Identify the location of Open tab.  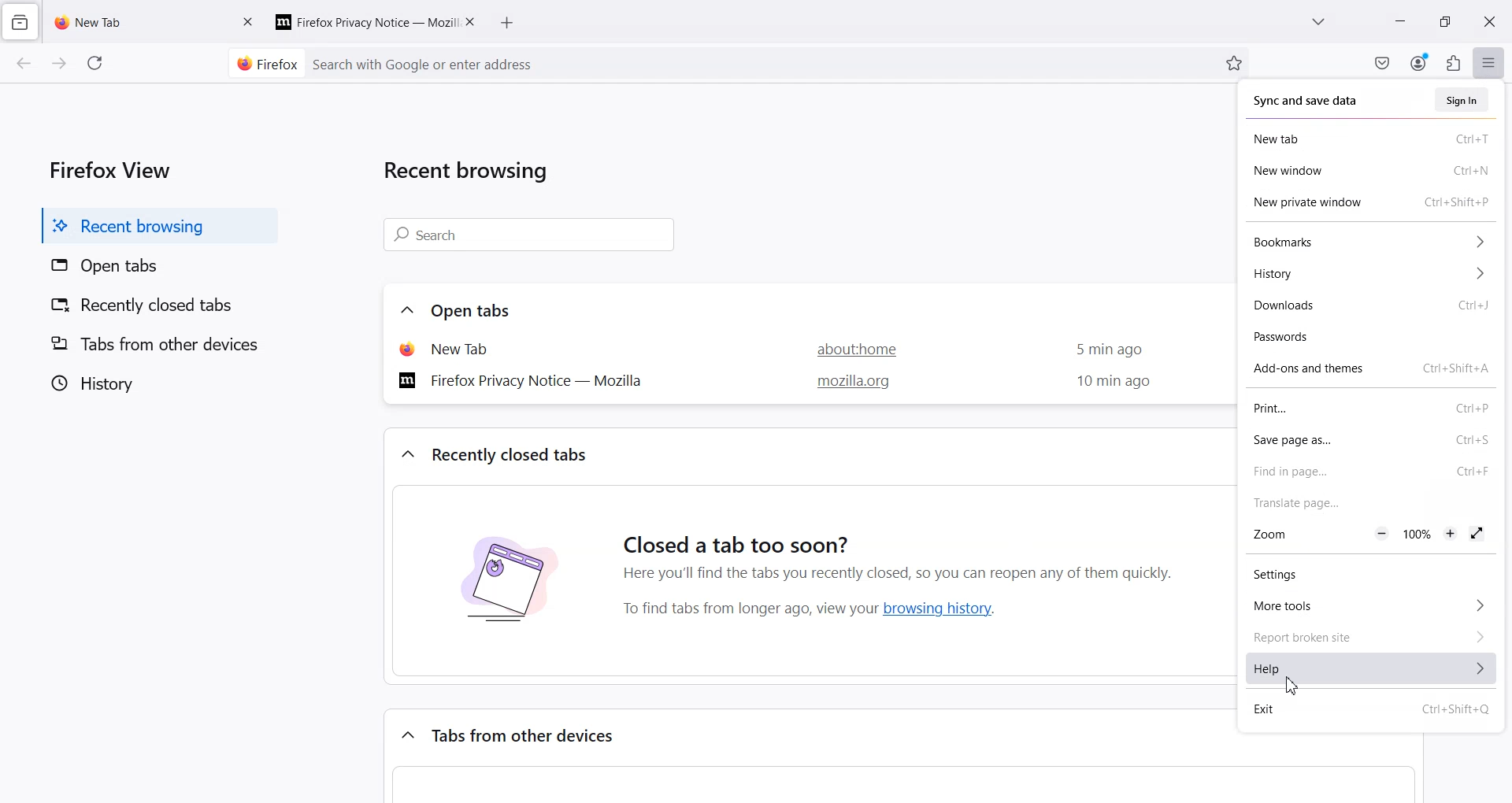
(465, 348).